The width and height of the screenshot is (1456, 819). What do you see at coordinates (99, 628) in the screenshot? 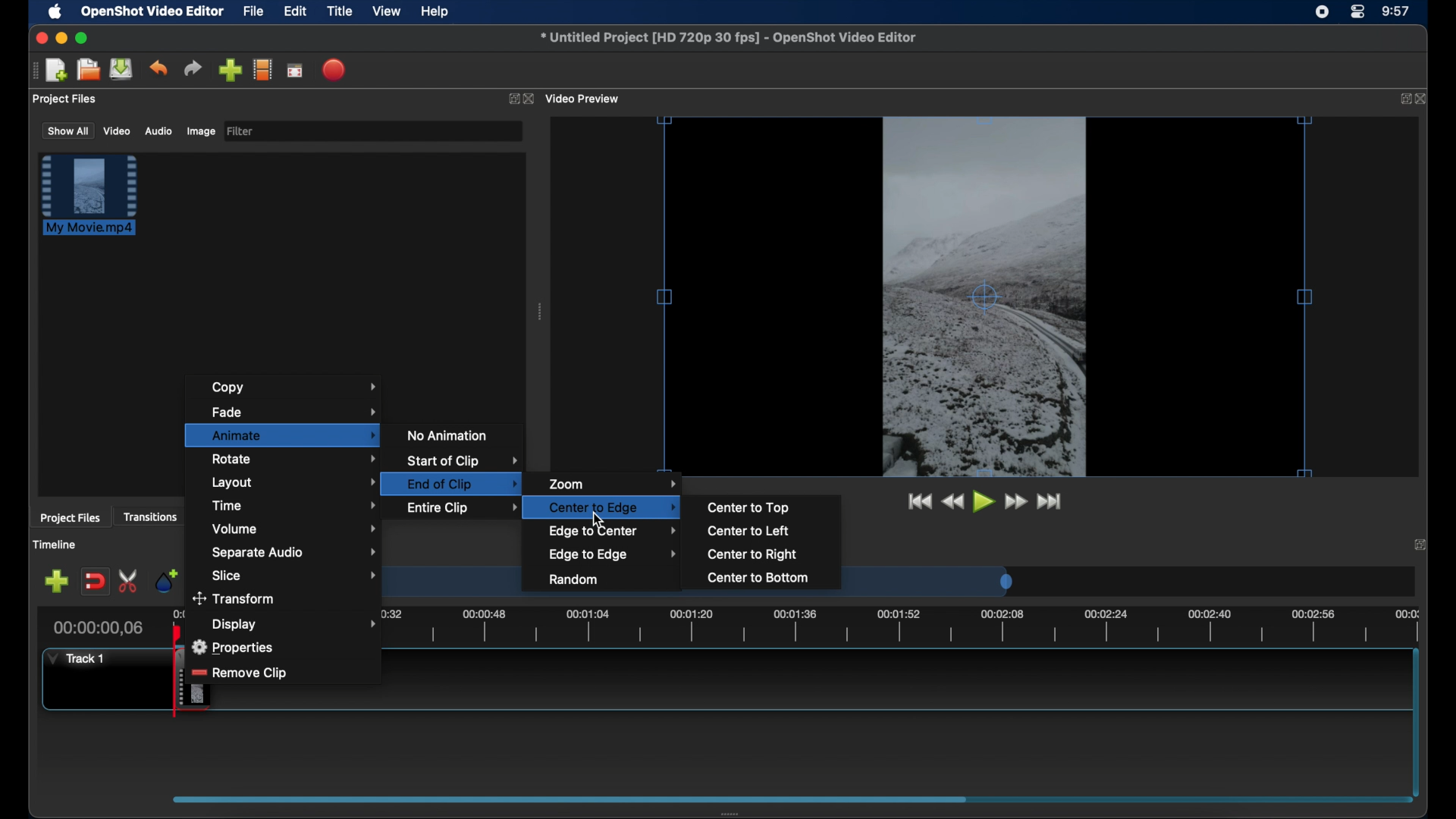
I see `current time indicator` at bounding box center [99, 628].